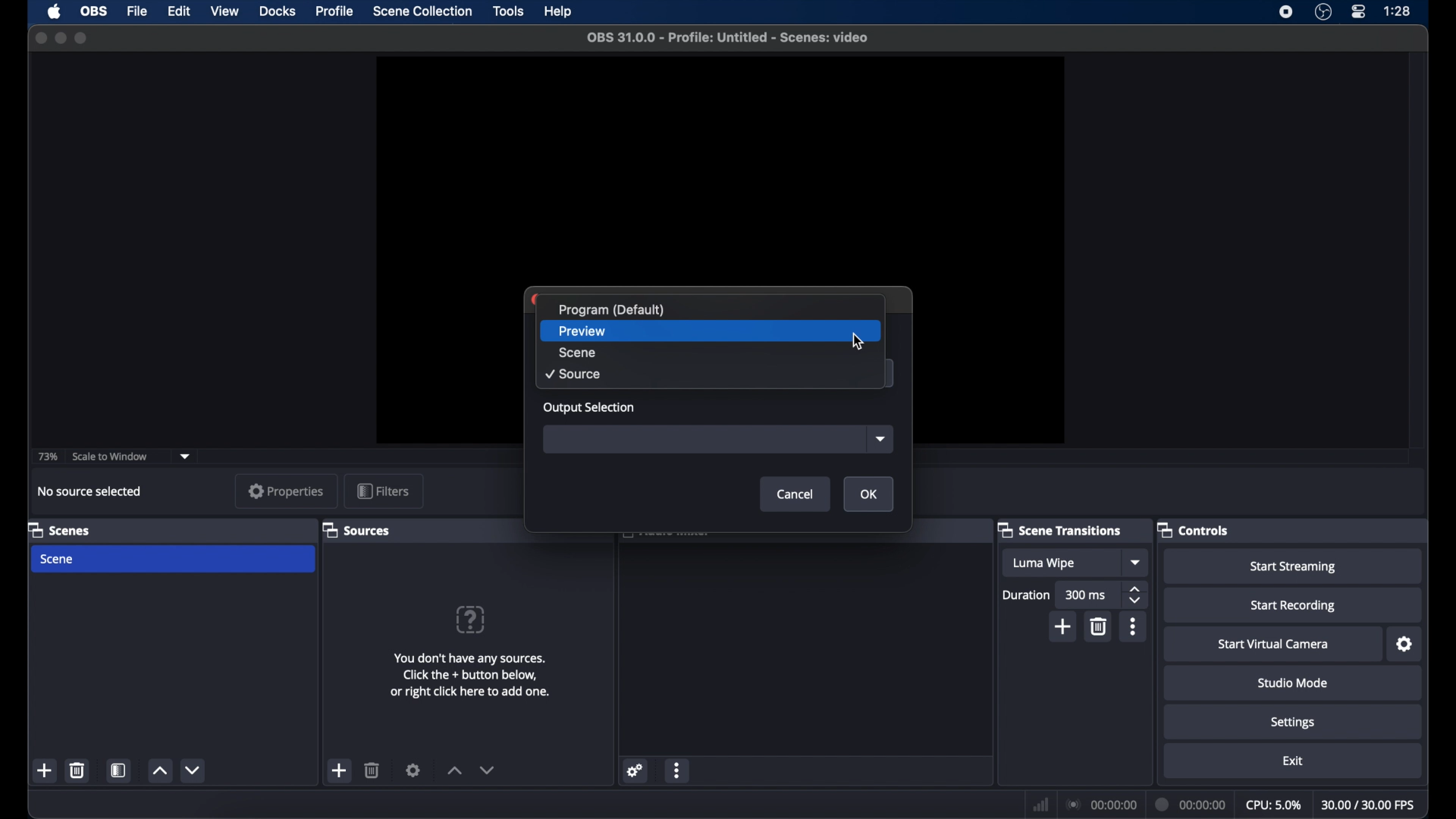 The height and width of the screenshot is (819, 1456). What do you see at coordinates (1100, 627) in the screenshot?
I see `delete` at bounding box center [1100, 627].